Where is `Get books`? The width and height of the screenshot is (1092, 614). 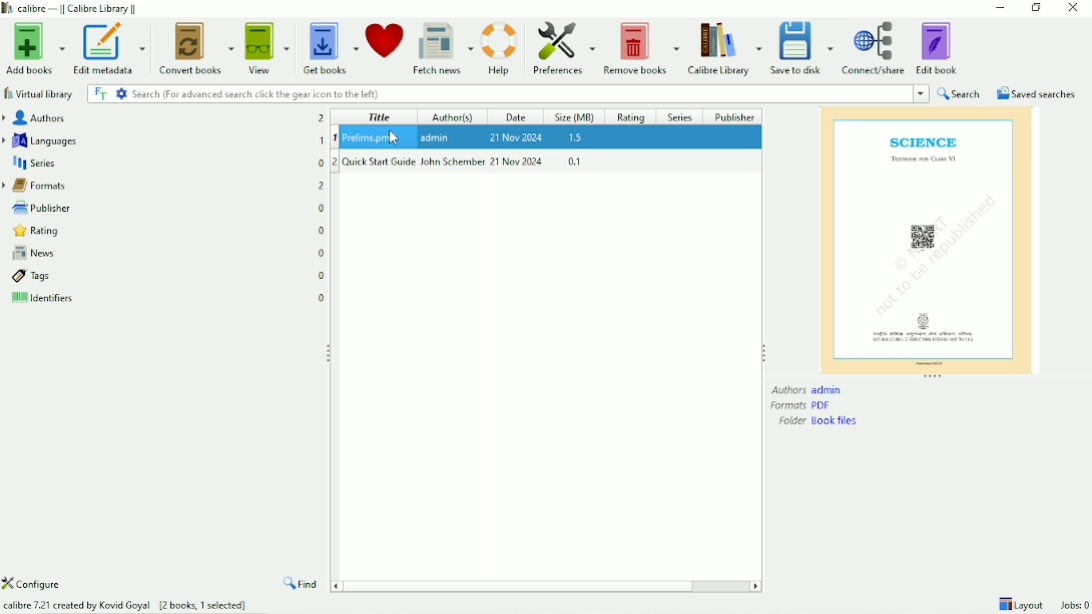 Get books is located at coordinates (329, 47).